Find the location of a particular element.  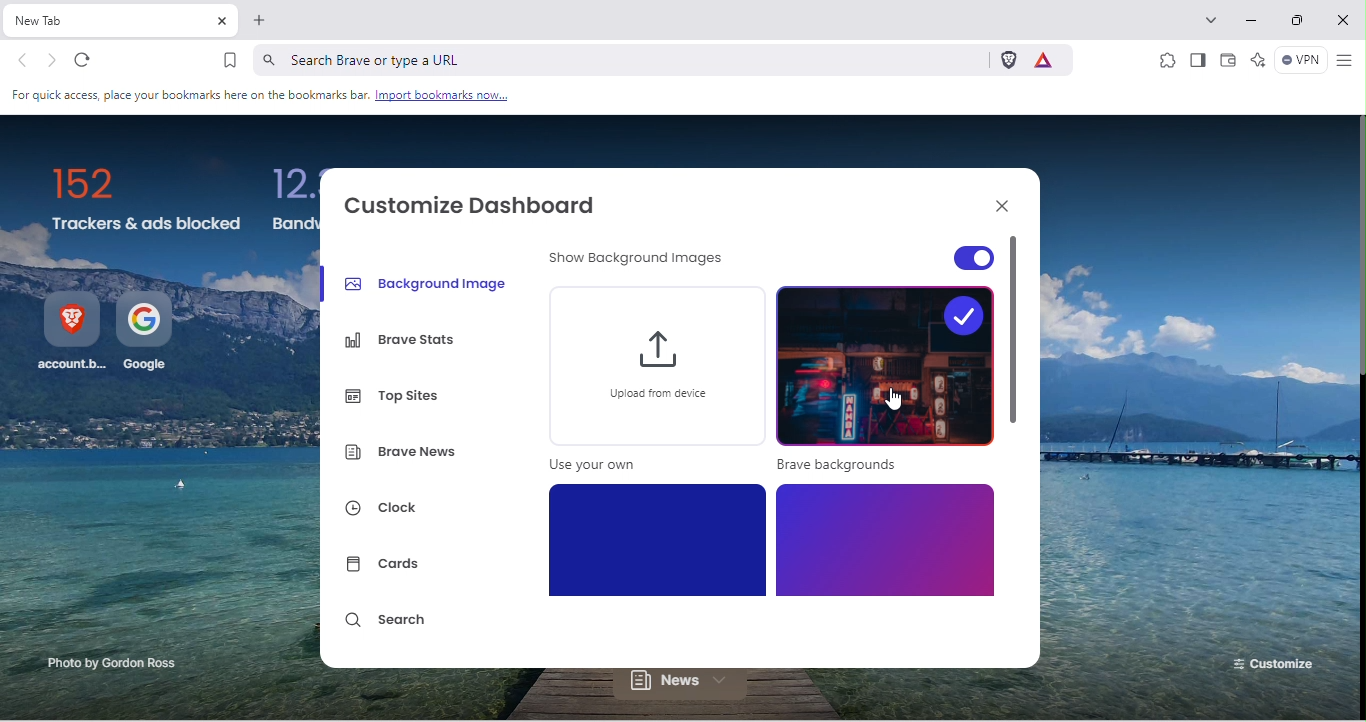

Search bar is located at coordinates (617, 59).